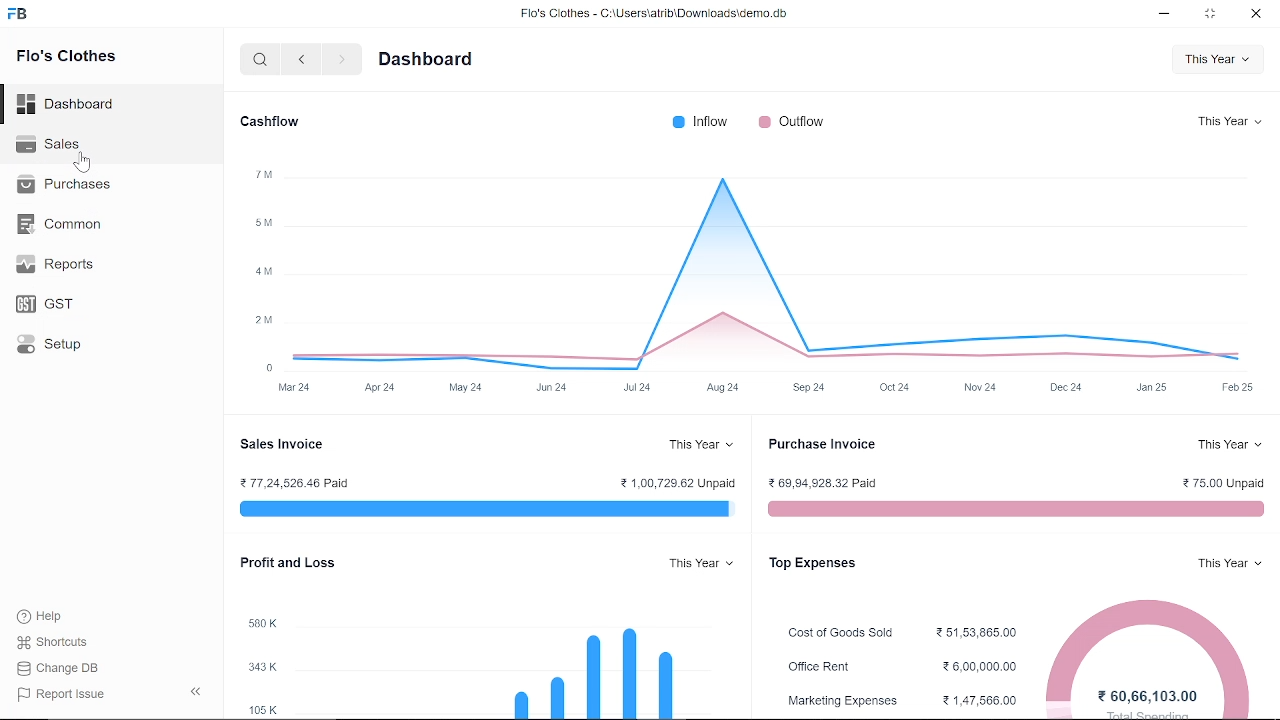 The image size is (1280, 720). What do you see at coordinates (63, 643) in the screenshot?
I see `Shortcuts` at bounding box center [63, 643].